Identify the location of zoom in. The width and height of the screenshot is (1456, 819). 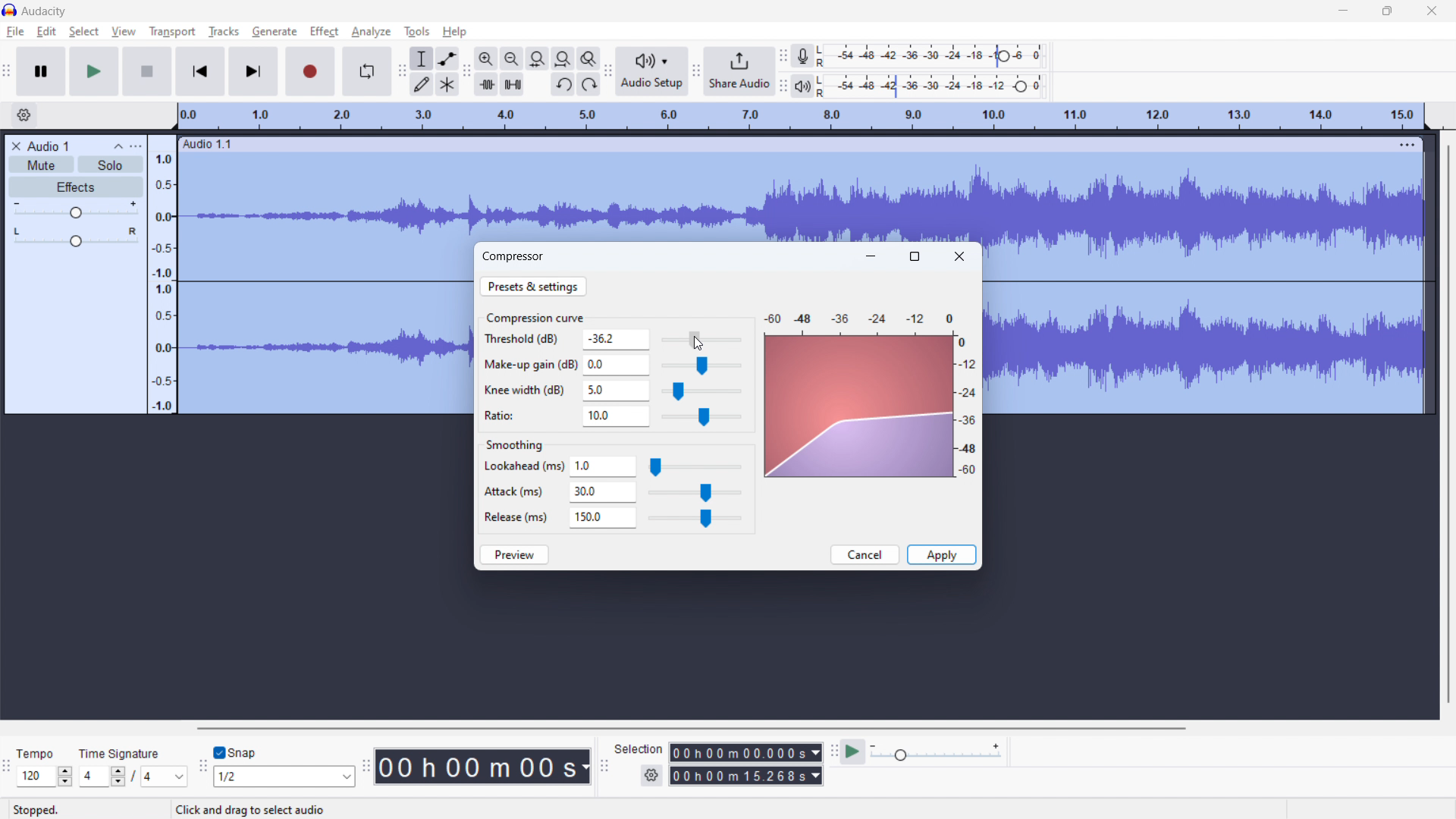
(486, 58).